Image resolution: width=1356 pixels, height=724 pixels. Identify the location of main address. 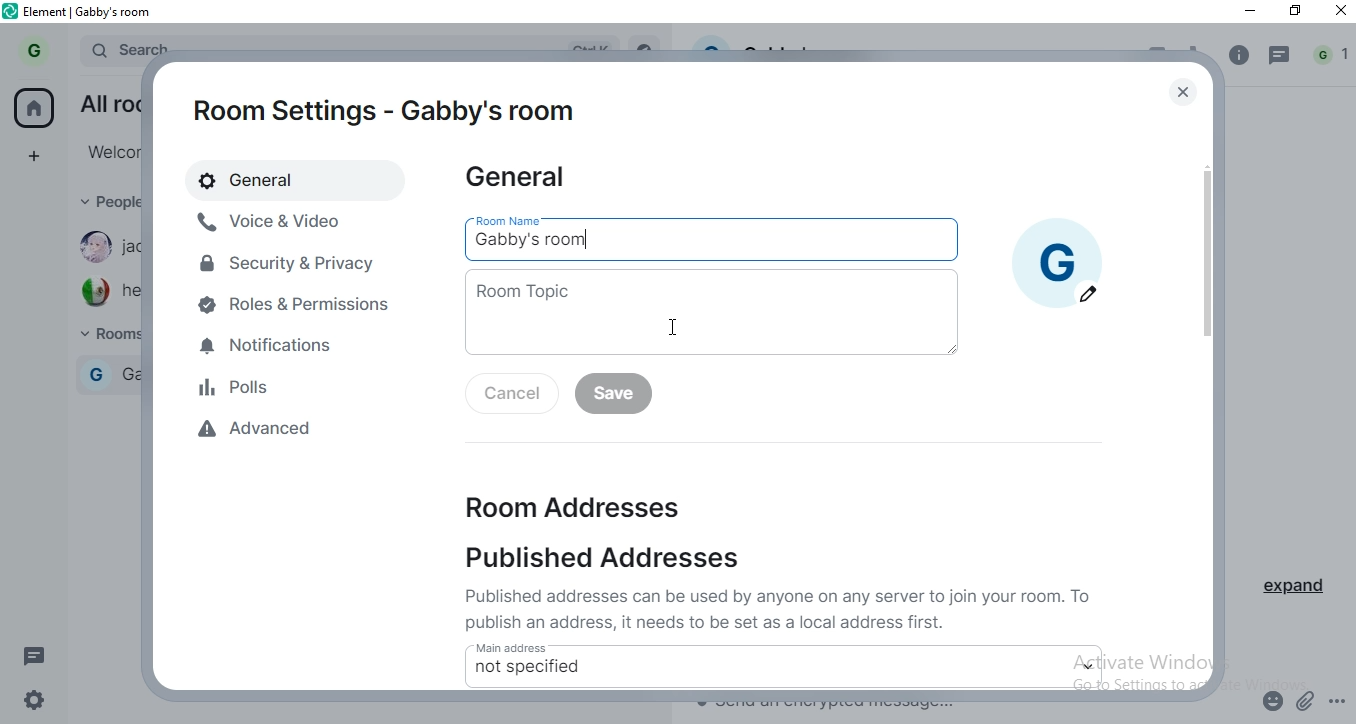
(621, 646).